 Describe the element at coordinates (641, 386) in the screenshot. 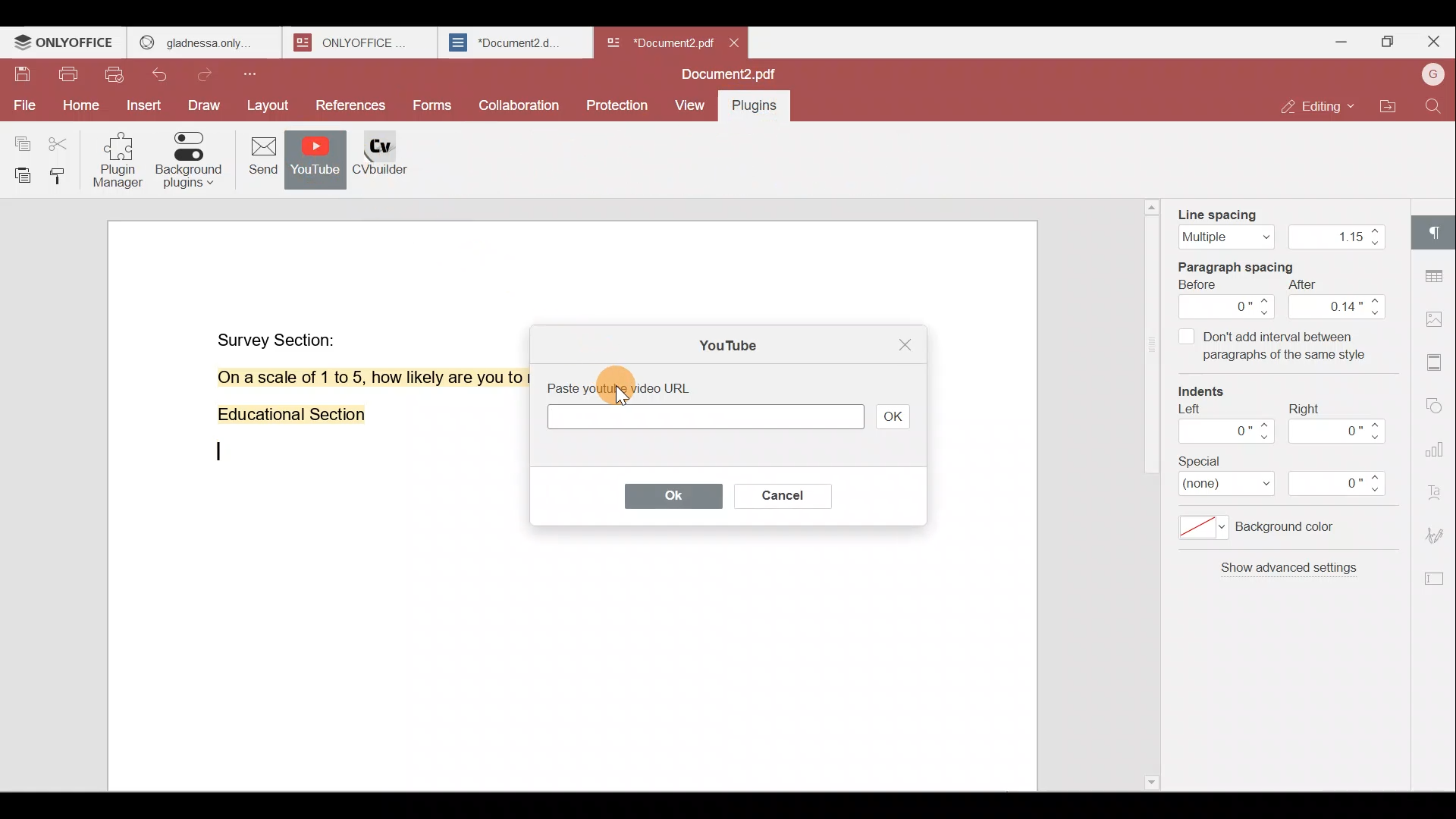

I see `Paste video URL` at that location.